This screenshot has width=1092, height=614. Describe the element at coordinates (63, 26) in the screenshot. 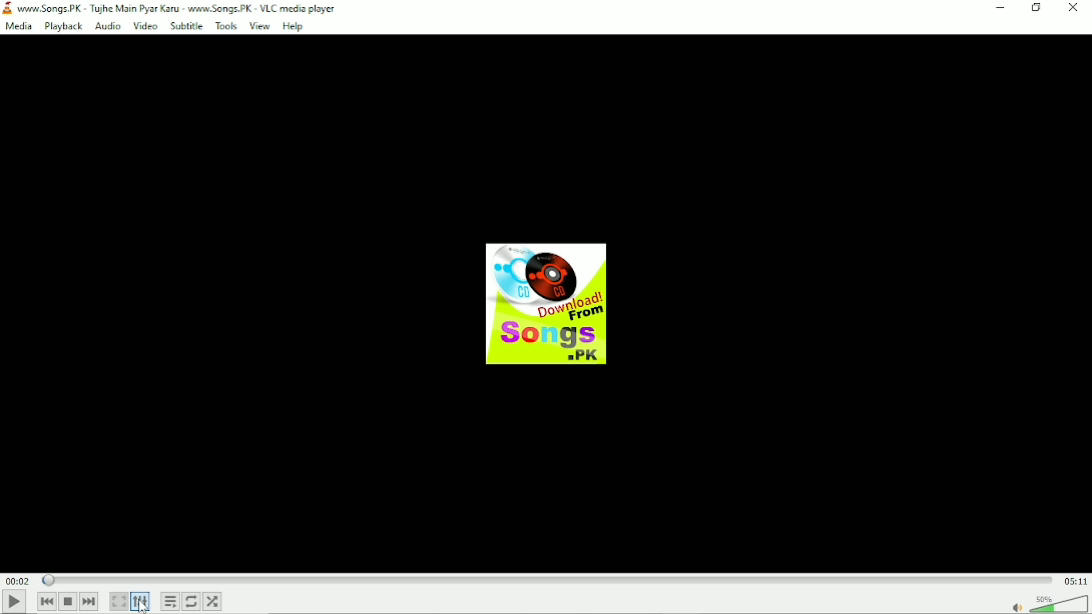

I see `Playback` at that location.